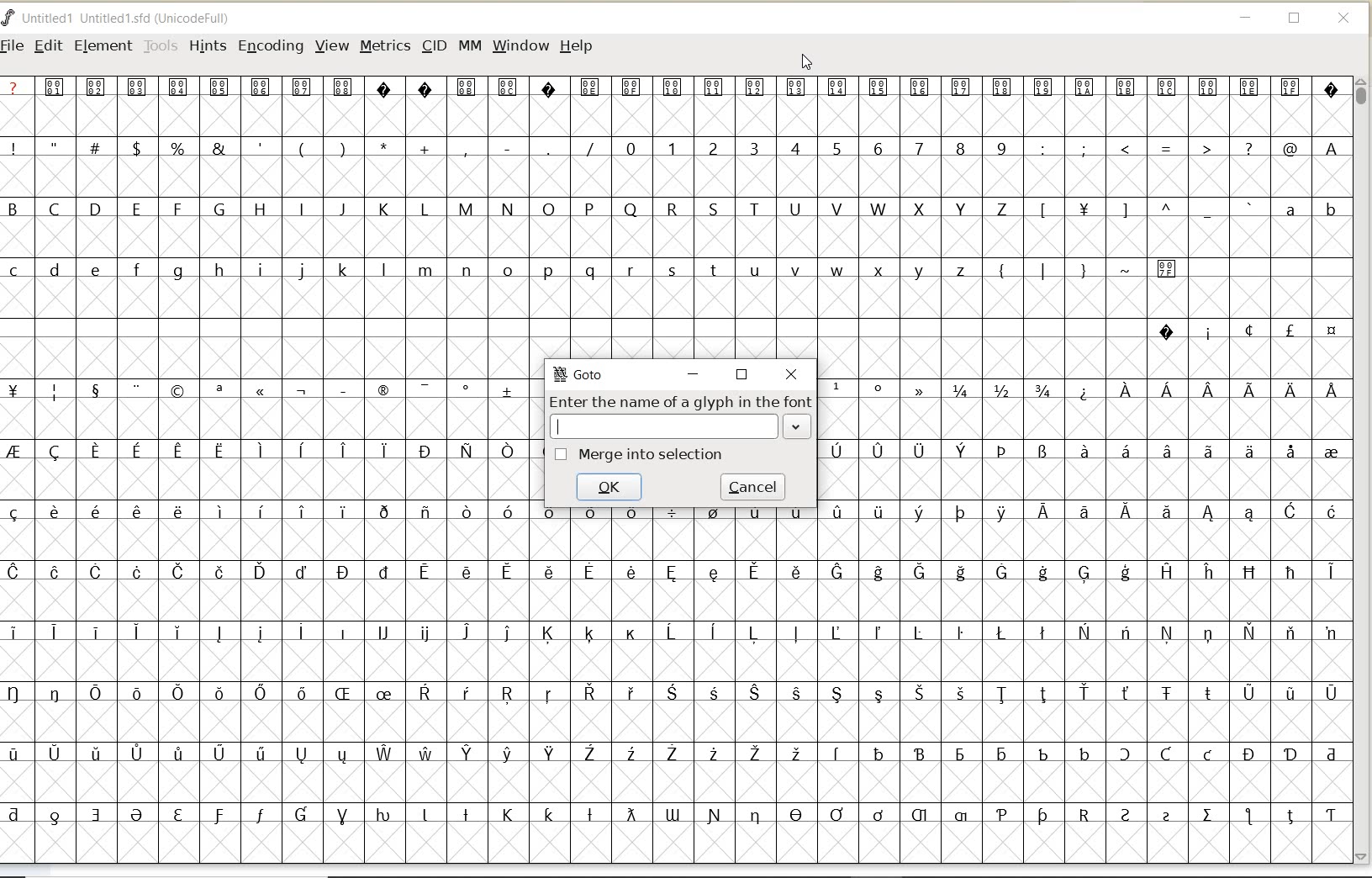 This screenshot has height=878, width=1372. What do you see at coordinates (1345, 19) in the screenshot?
I see `CLOSE` at bounding box center [1345, 19].